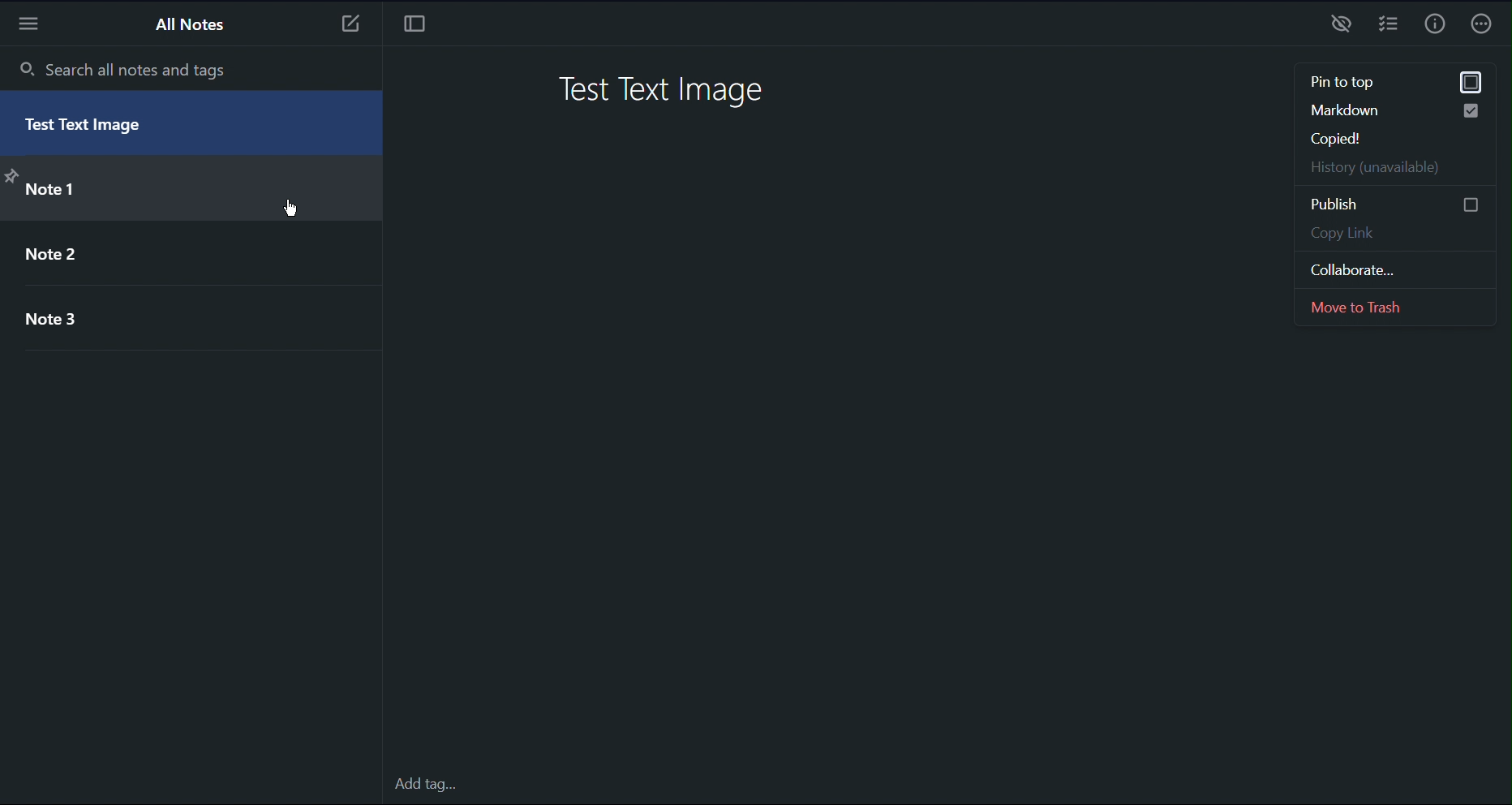 The width and height of the screenshot is (1512, 805). What do you see at coordinates (1390, 235) in the screenshot?
I see `Copy Link` at bounding box center [1390, 235].